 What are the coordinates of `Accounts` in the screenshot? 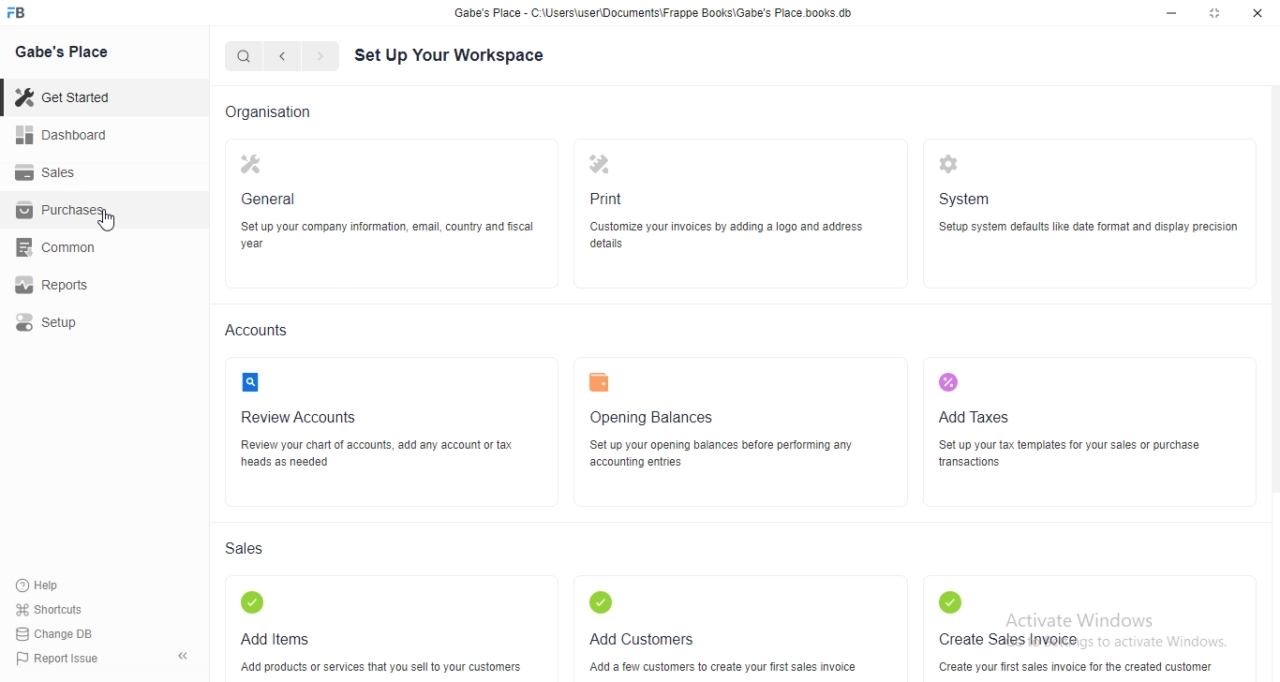 It's located at (256, 329).